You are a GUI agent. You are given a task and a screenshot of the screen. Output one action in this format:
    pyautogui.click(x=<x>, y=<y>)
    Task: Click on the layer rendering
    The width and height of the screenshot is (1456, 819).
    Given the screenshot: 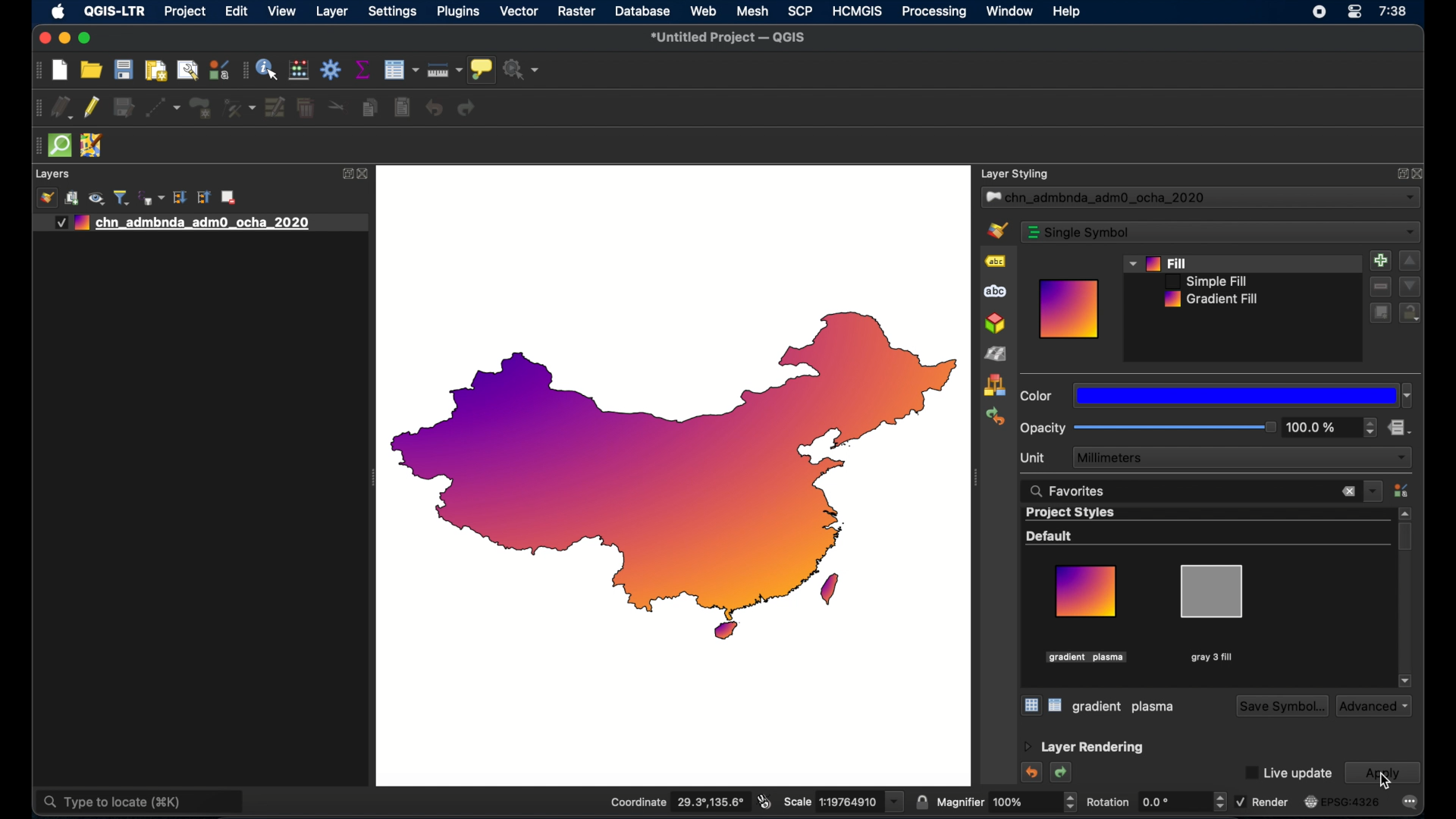 What is the action you would take?
    pyautogui.click(x=1083, y=748)
    